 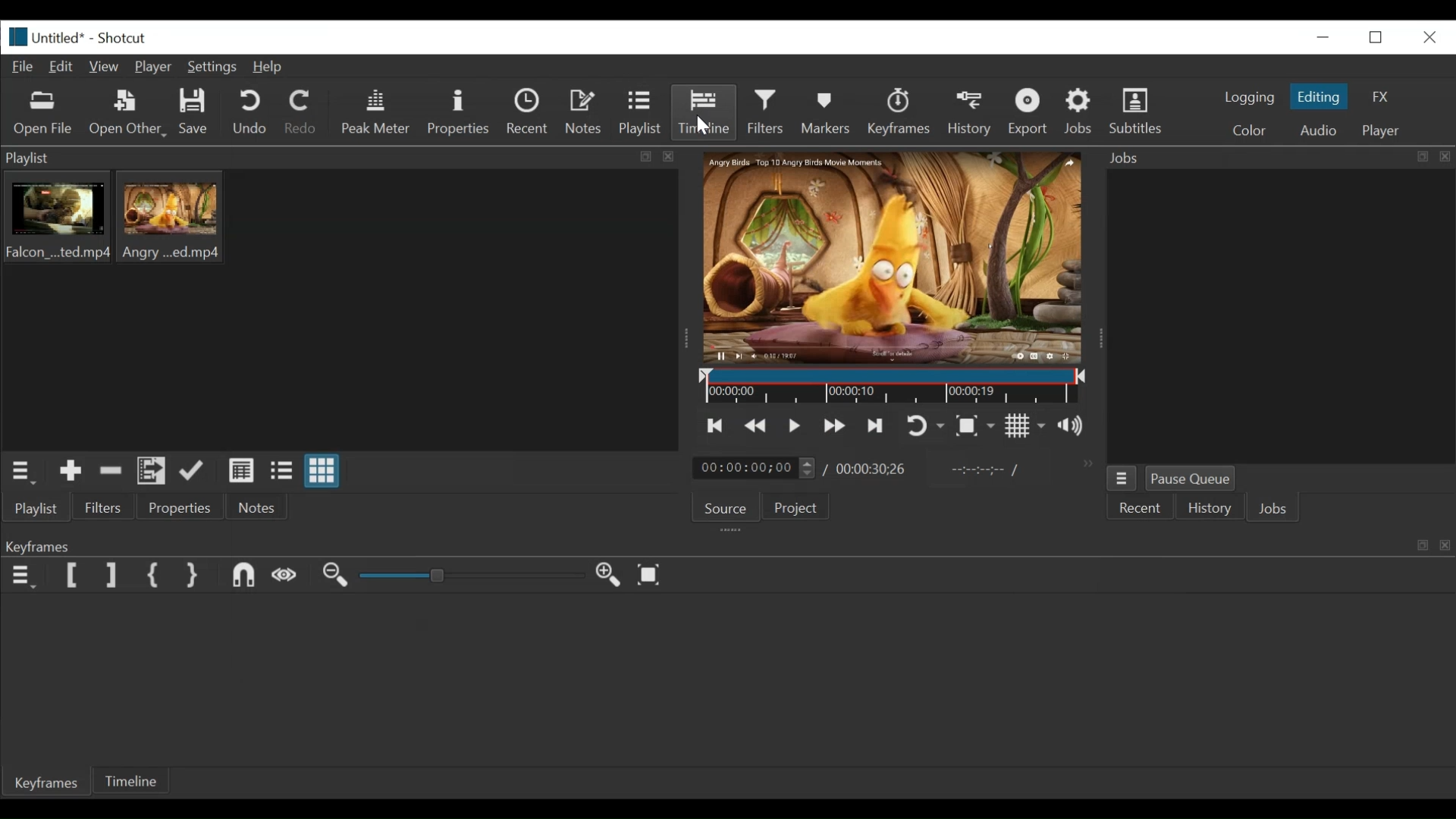 What do you see at coordinates (155, 576) in the screenshot?
I see `Set First Simple Keyframe` at bounding box center [155, 576].